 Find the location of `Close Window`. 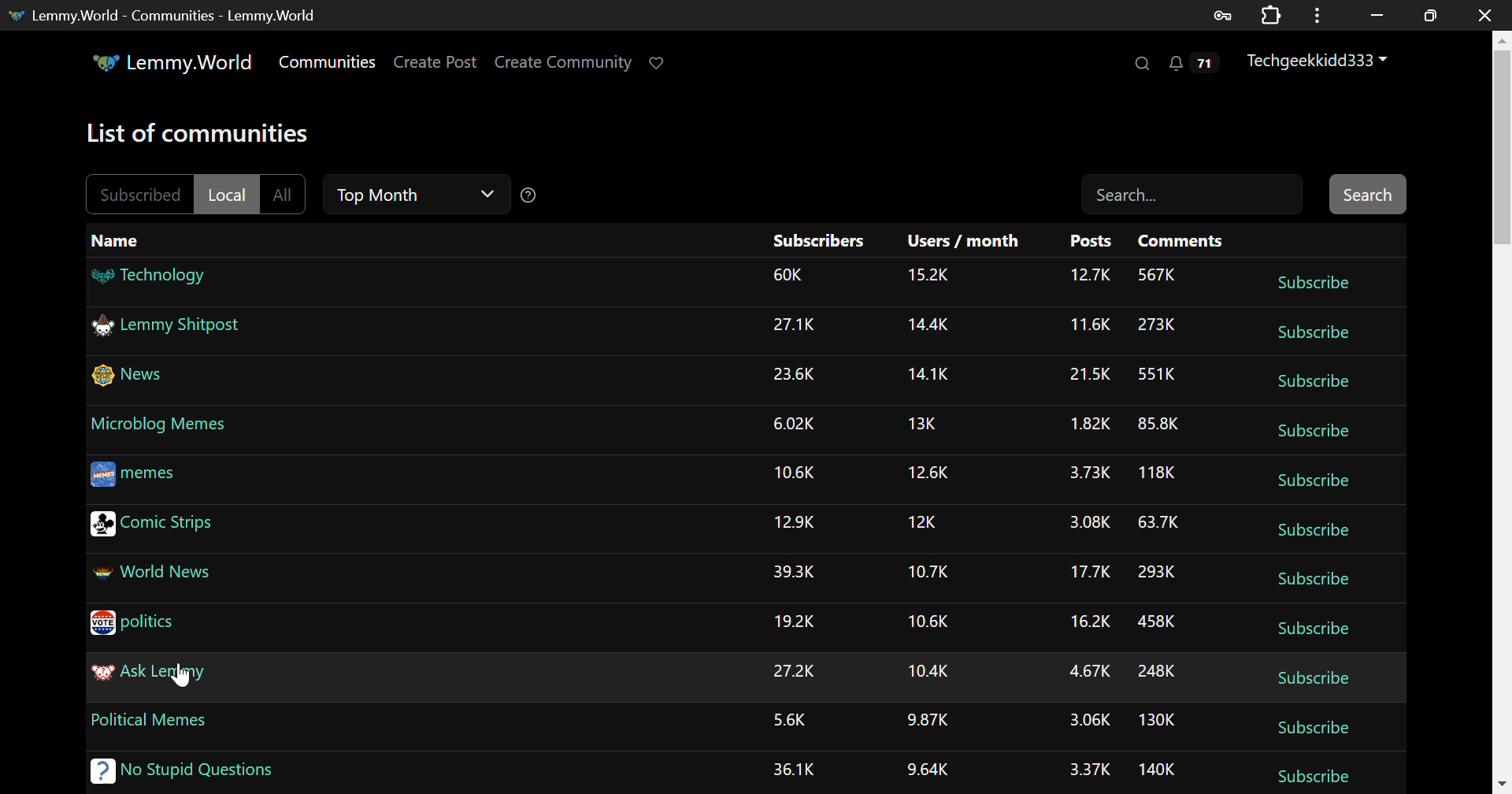

Close Window is located at coordinates (1485, 13).